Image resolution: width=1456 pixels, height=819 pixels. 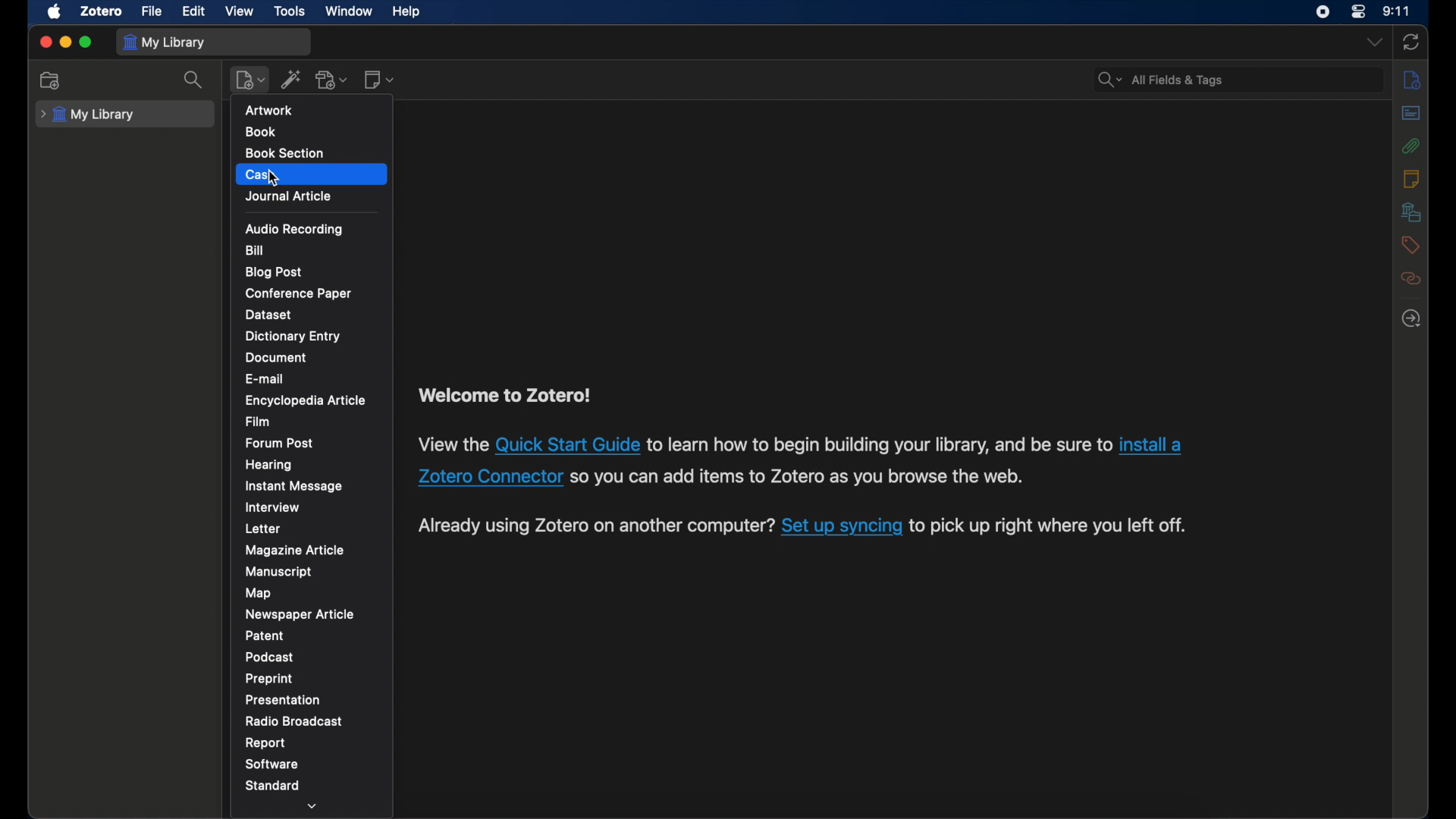 What do you see at coordinates (1410, 146) in the screenshot?
I see `attachments` at bounding box center [1410, 146].